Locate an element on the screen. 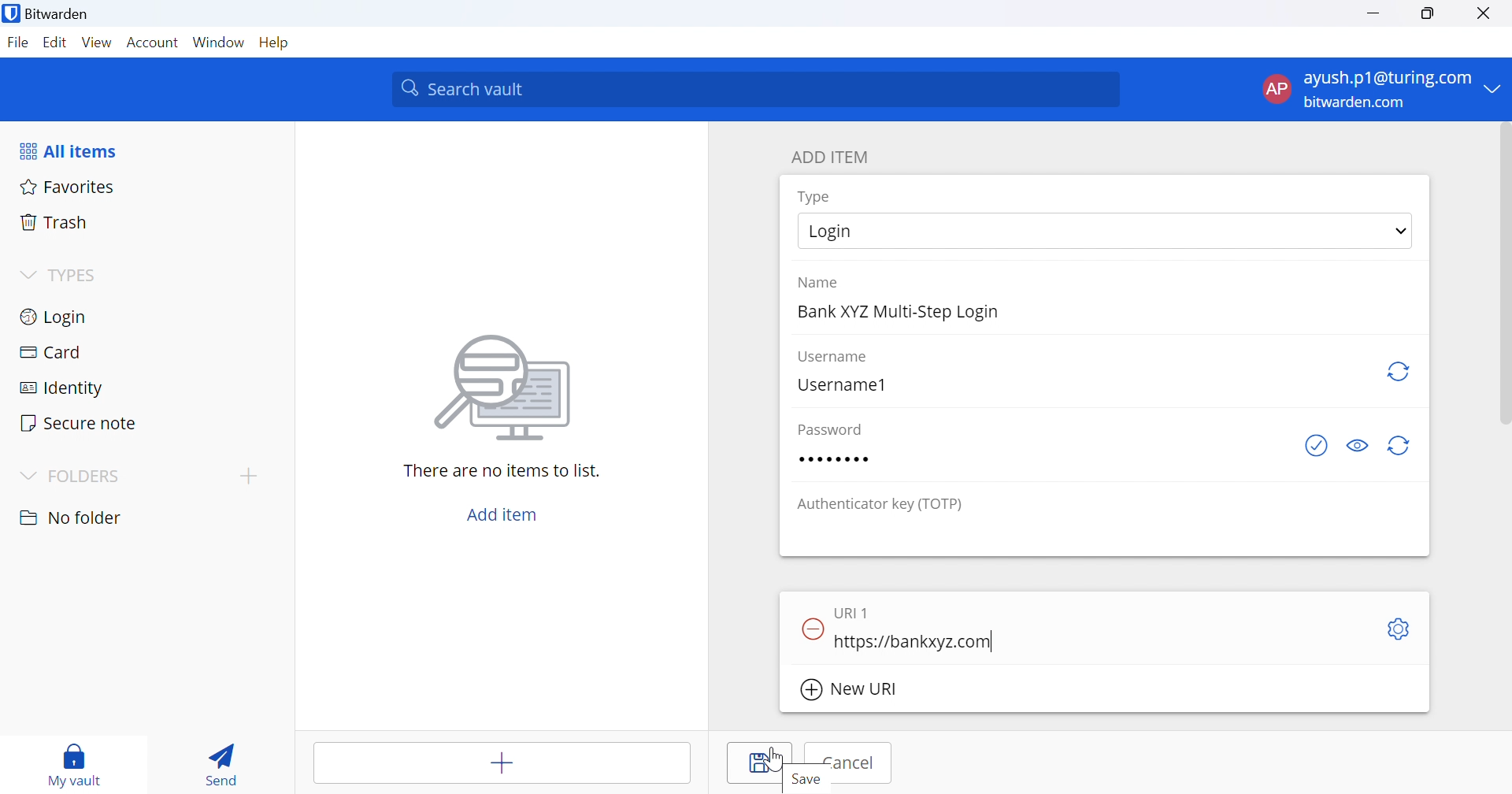 This screenshot has height=794, width=1512. Add item is located at coordinates (504, 762).